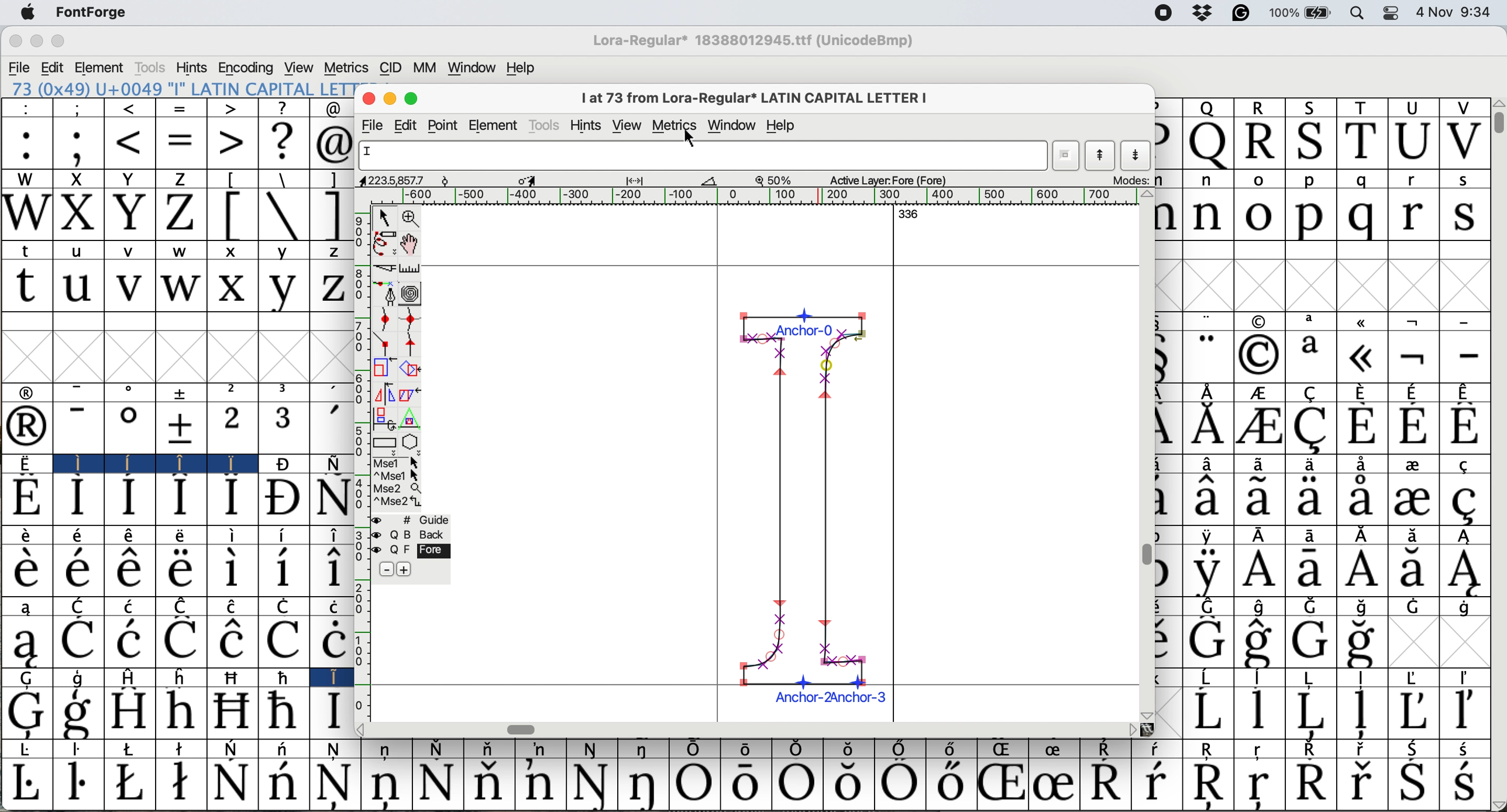 The image size is (1507, 812). Describe the element at coordinates (1312, 393) in the screenshot. I see `` at that location.